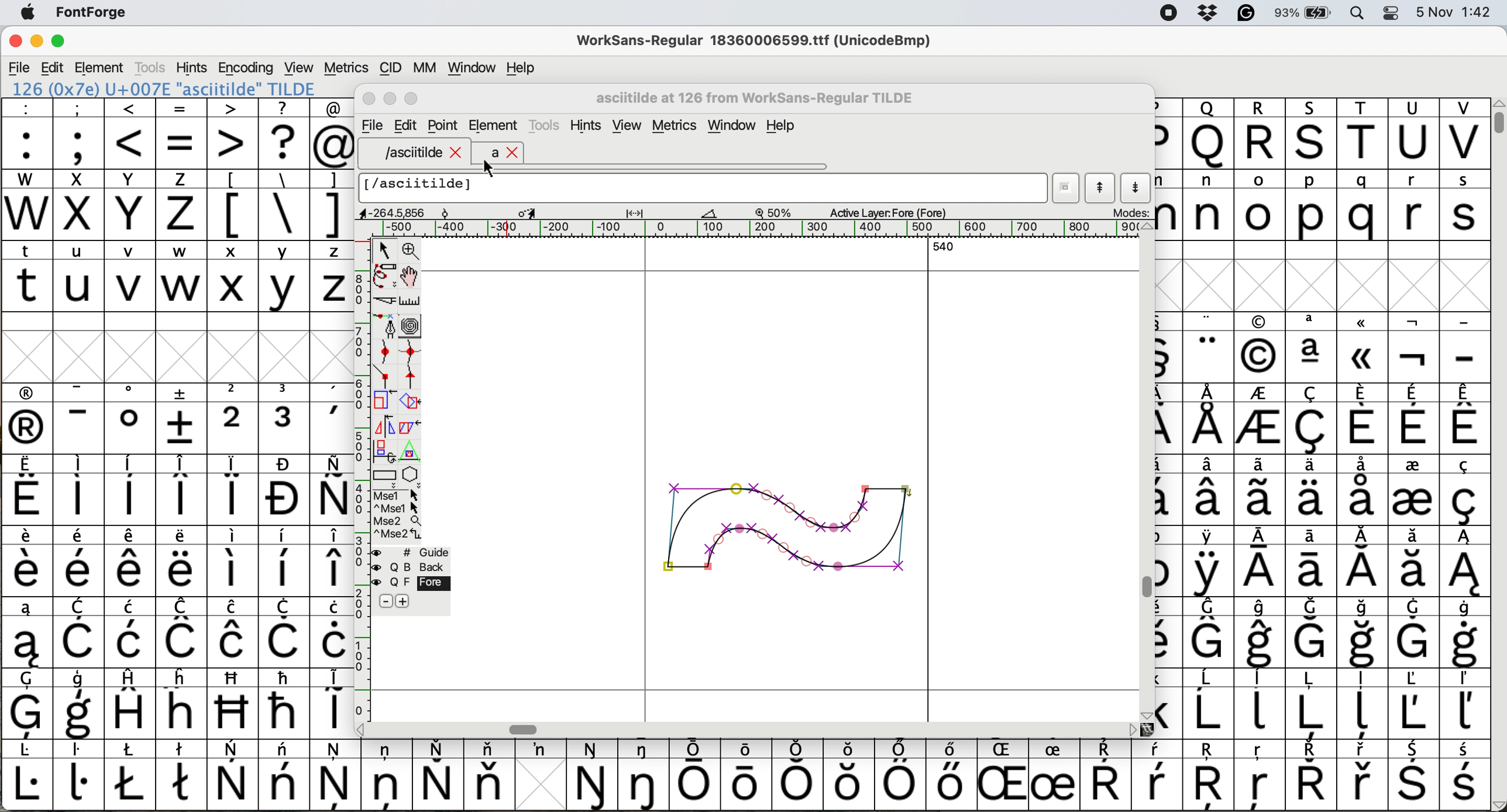  I want to click on edit, so click(54, 68).